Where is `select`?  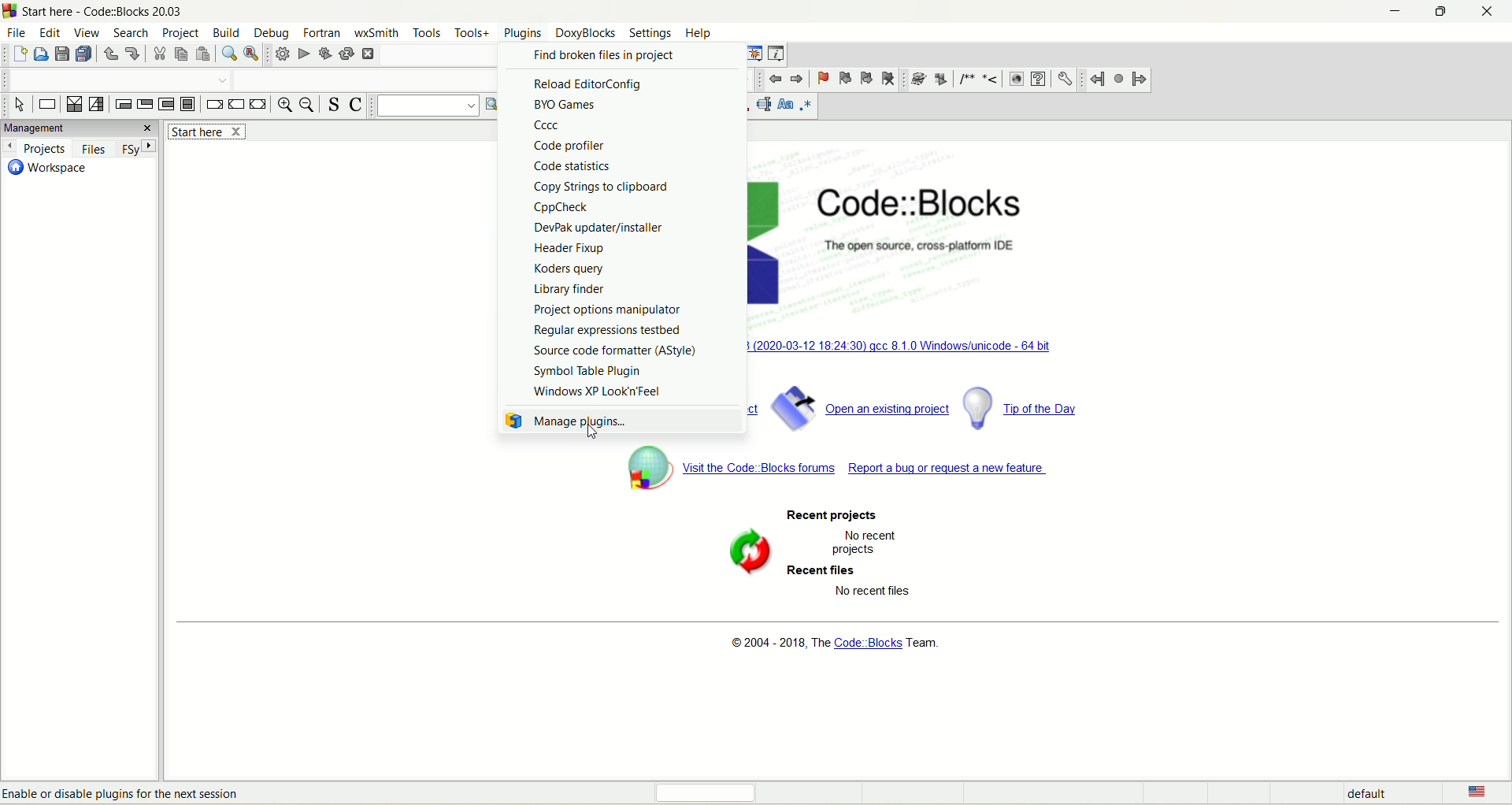 select is located at coordinates (20, 106).